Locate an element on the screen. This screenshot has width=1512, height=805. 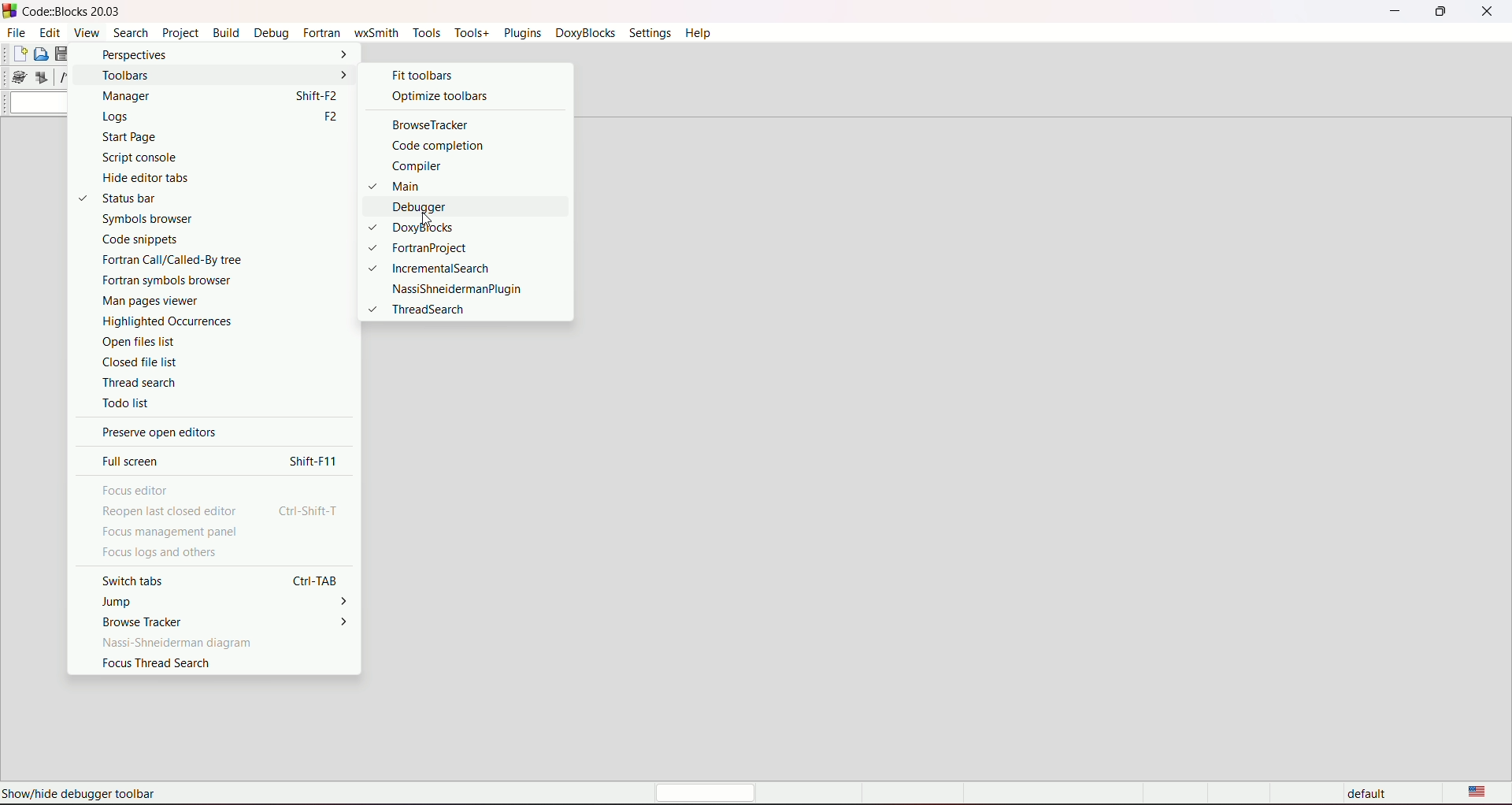
file is located at coordinates (17, 32).